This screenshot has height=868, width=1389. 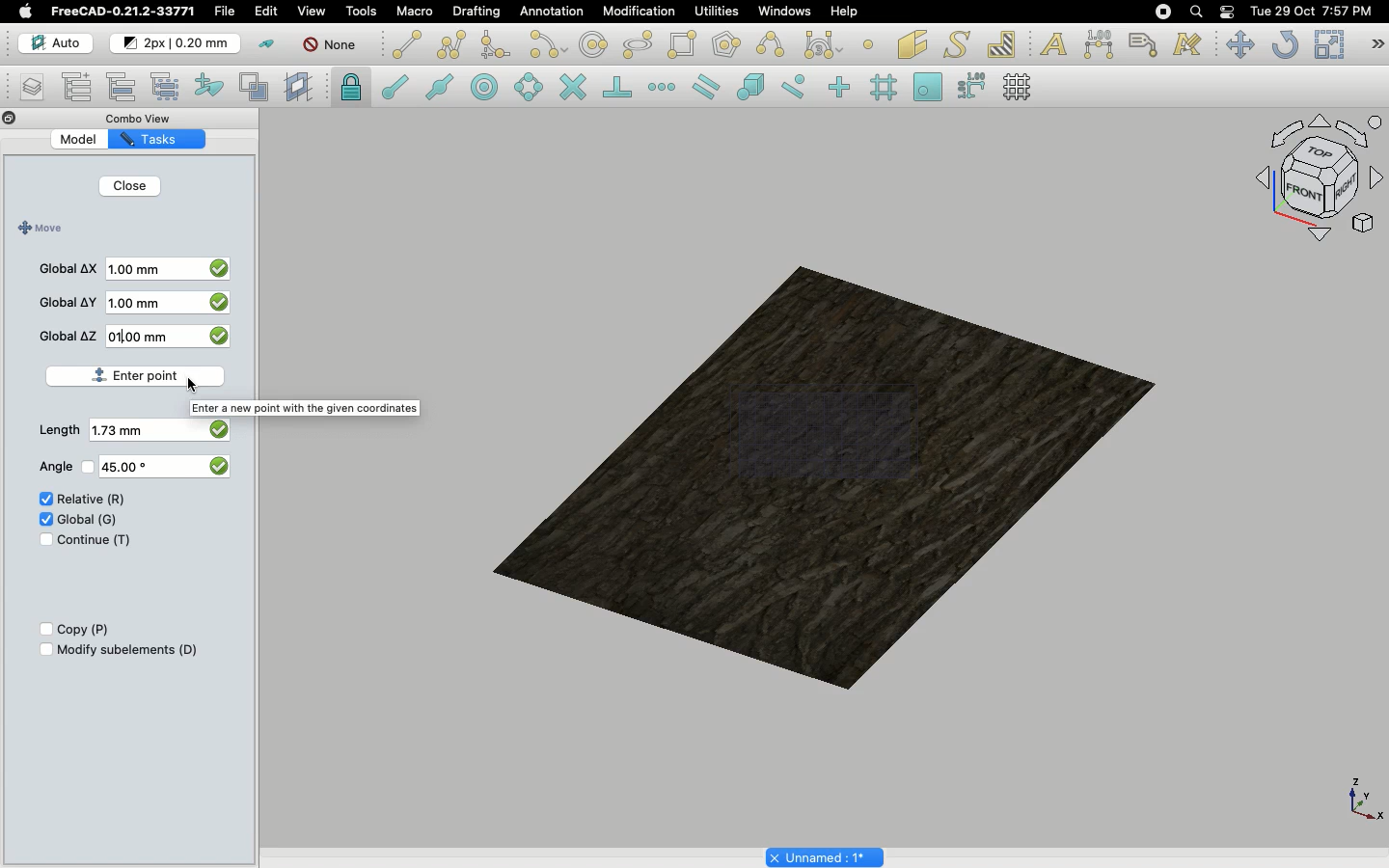 What do you see at coordinates (222, 339) in the screenshot?
I see `checkbox` at bounding box center [222, 339].